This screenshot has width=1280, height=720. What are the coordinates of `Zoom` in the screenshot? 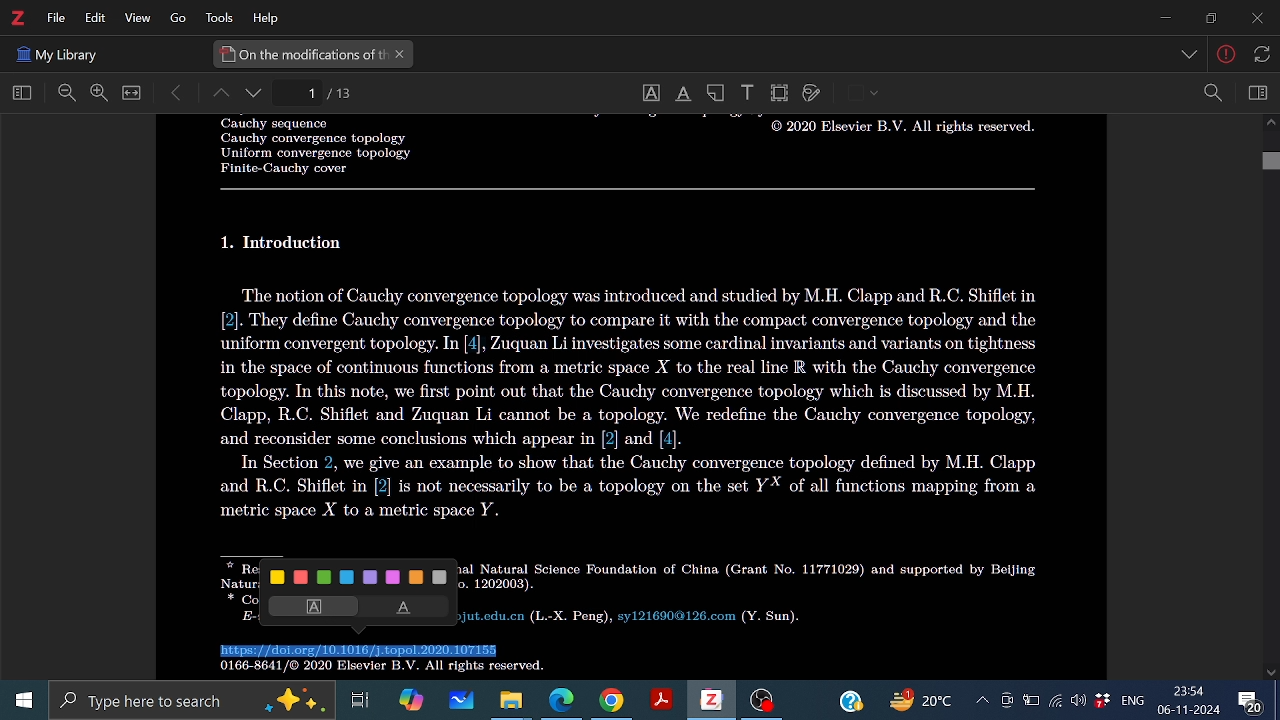 It's located at (1212, 93).